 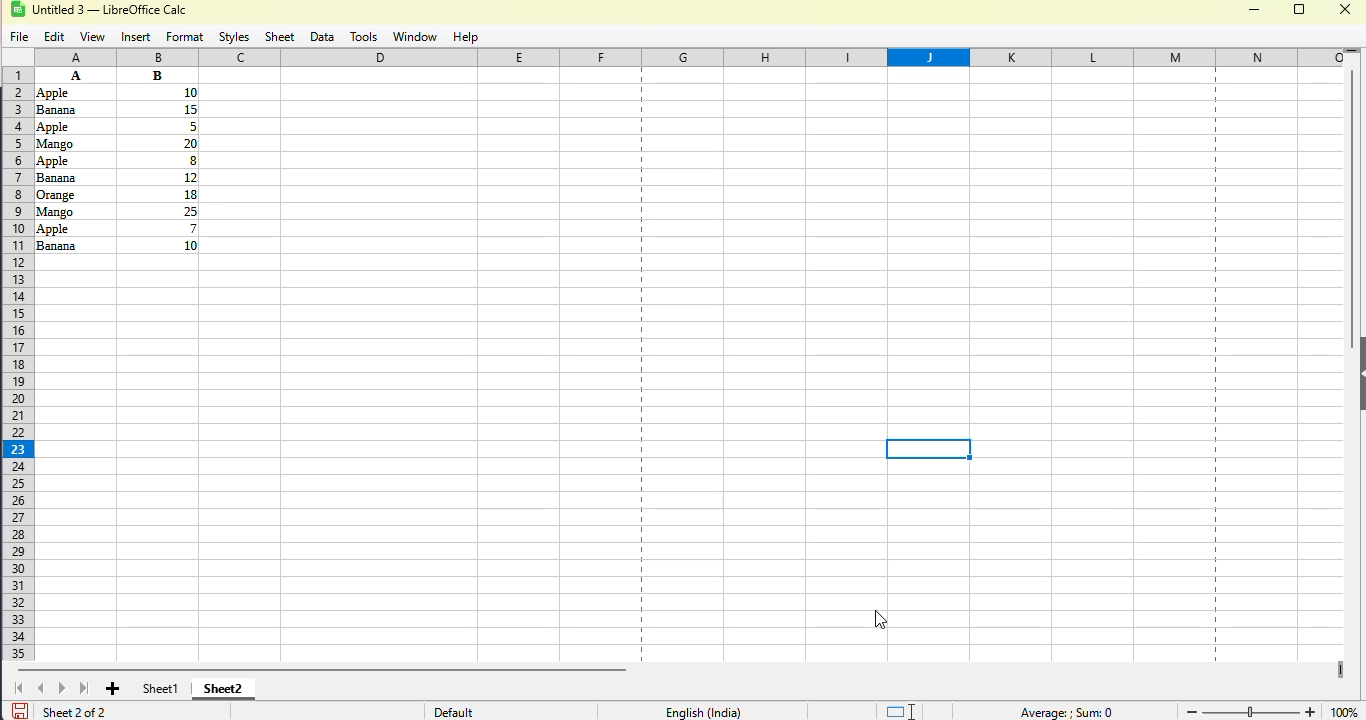 I want to click on show, so click(x=1357, y=373).